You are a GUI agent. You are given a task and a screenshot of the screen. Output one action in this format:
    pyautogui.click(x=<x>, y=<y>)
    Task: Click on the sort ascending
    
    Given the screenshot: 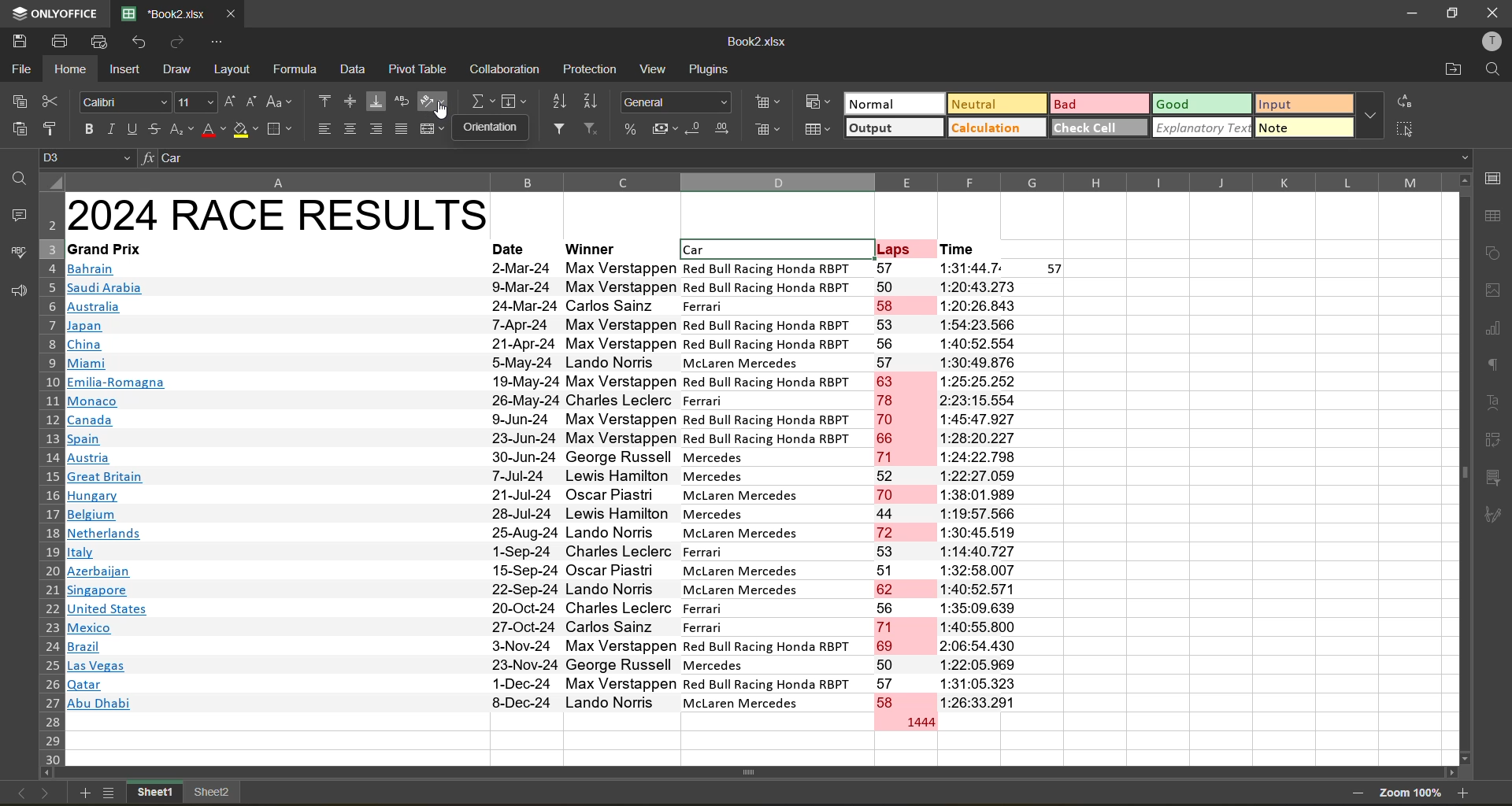 What is the action you would take?
    pyautogui.click(x=557, y=100)
    